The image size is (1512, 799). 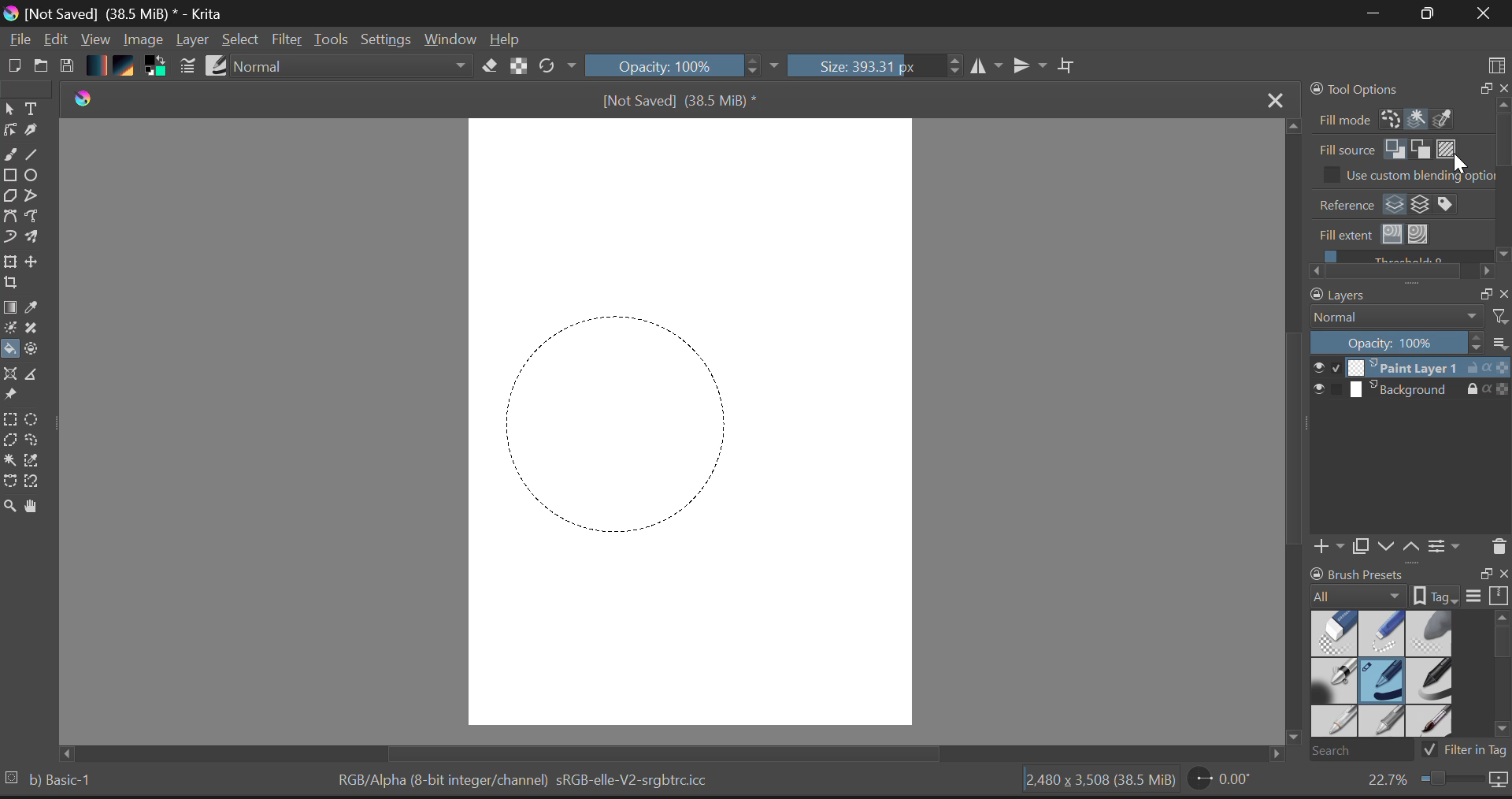 I want to click on Page Rotation, so click(x=1221, y=782).